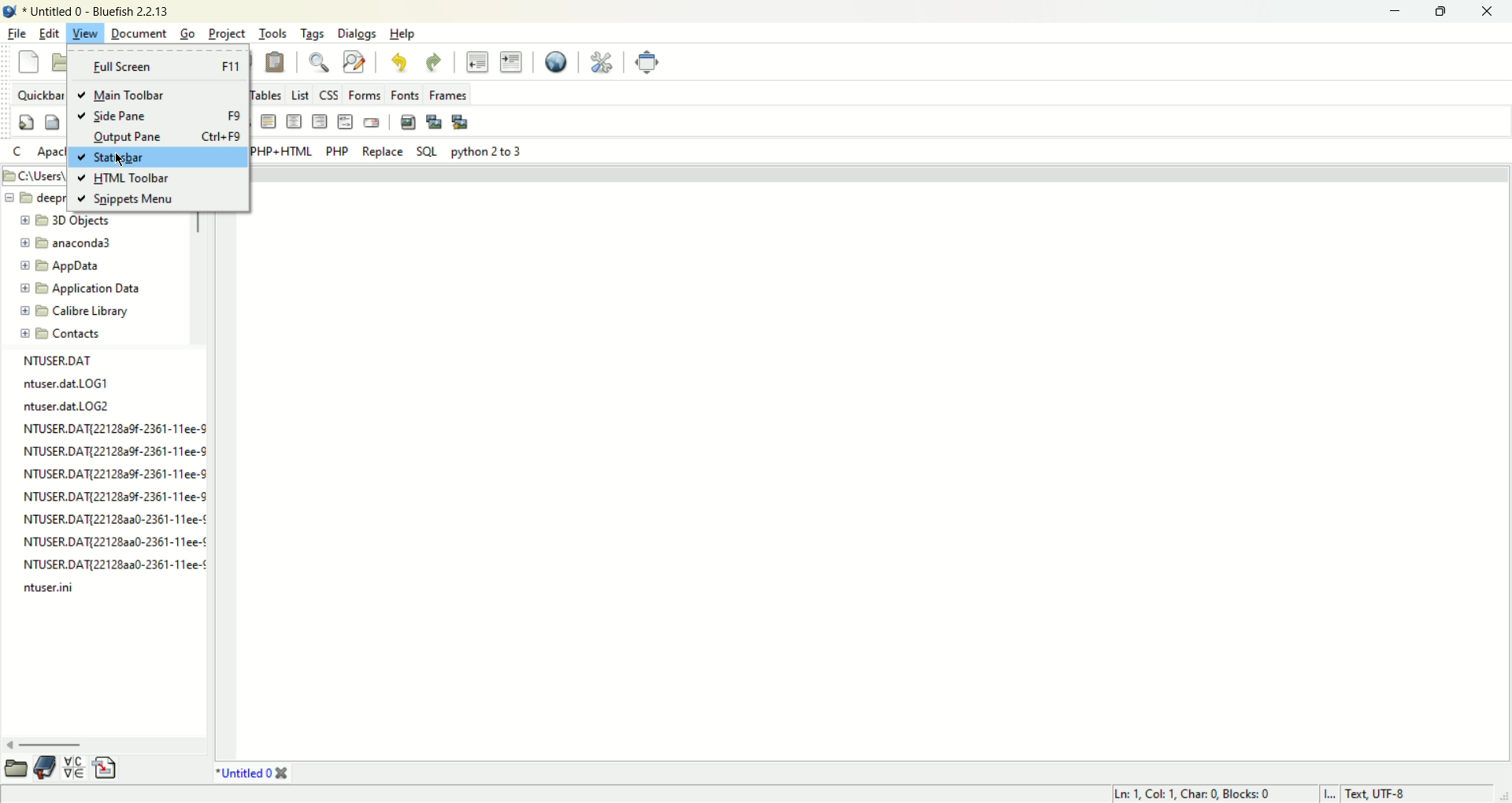 Image resolution: width=1512 pixels, height=803 pixels. I want to click on NTUSER.DAT, so click(61, 364).